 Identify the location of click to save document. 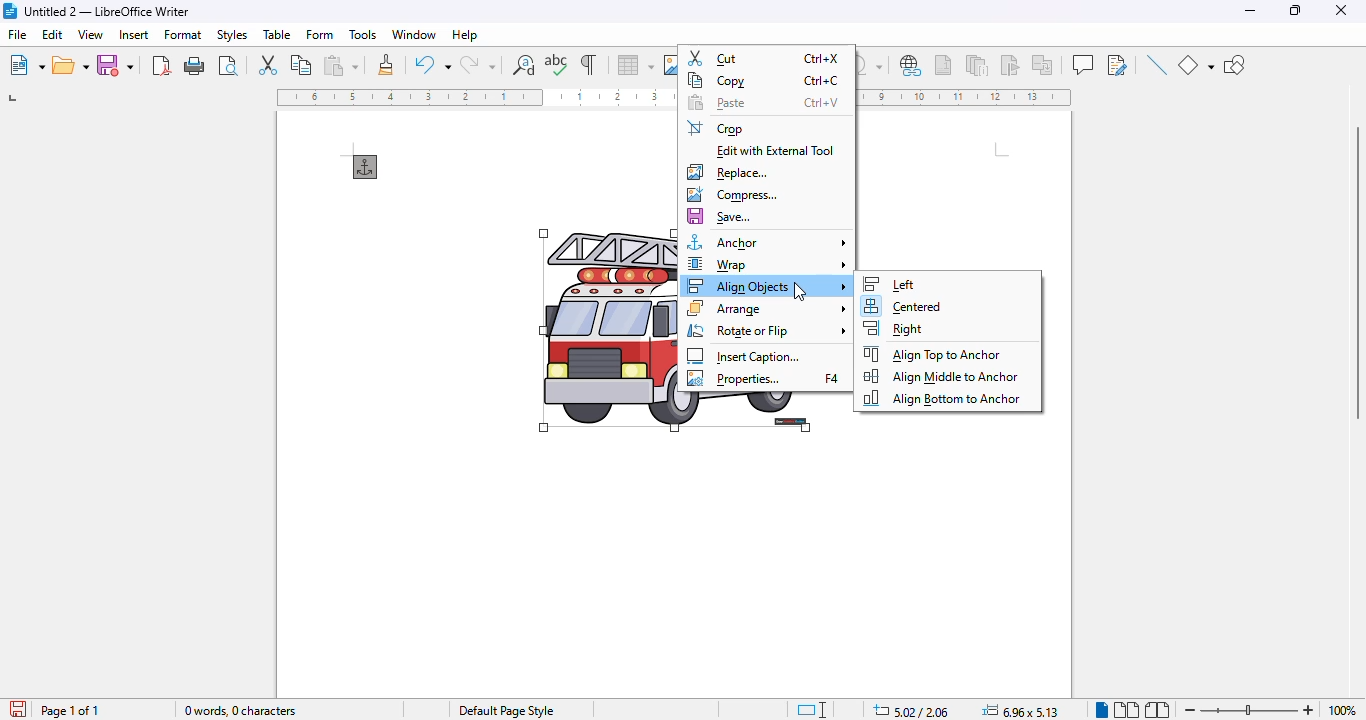
(19, 708).